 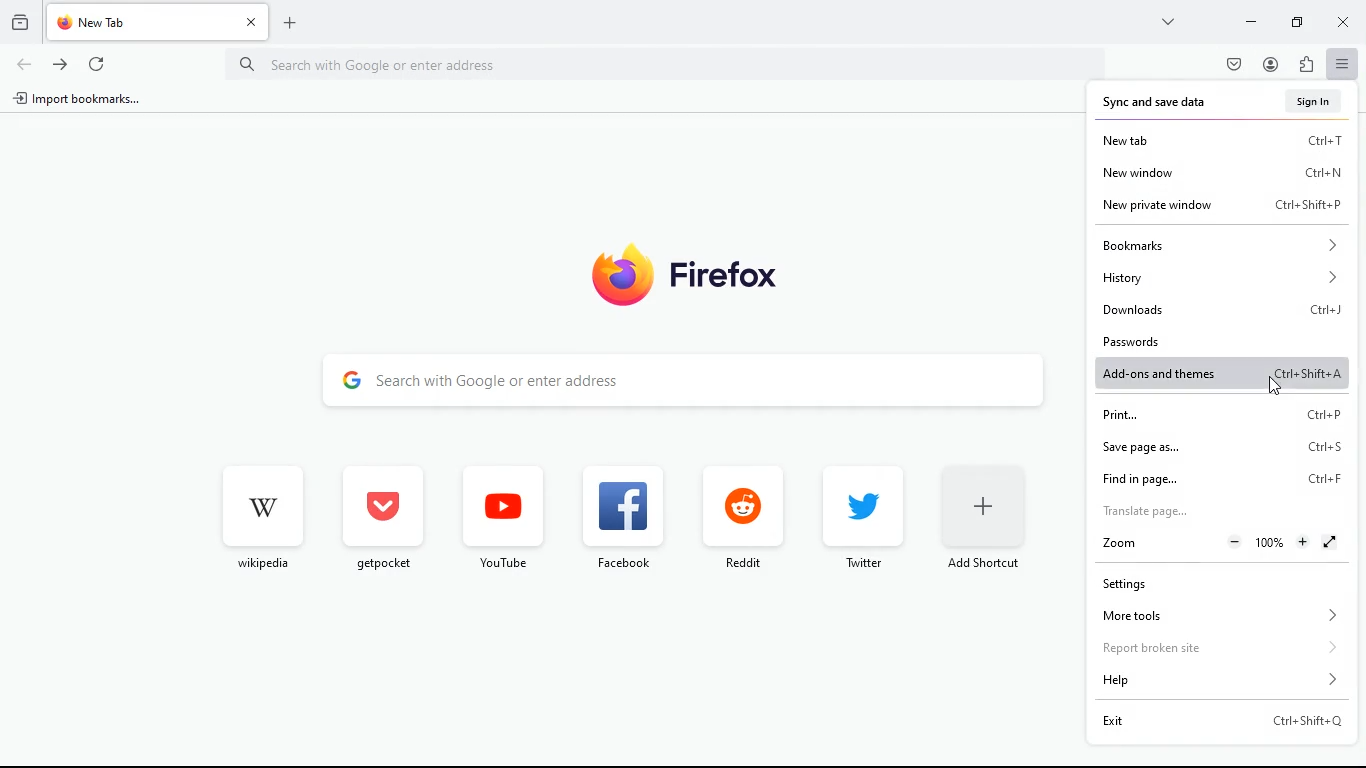 I want to click on close, so click(x=1346, y=20).